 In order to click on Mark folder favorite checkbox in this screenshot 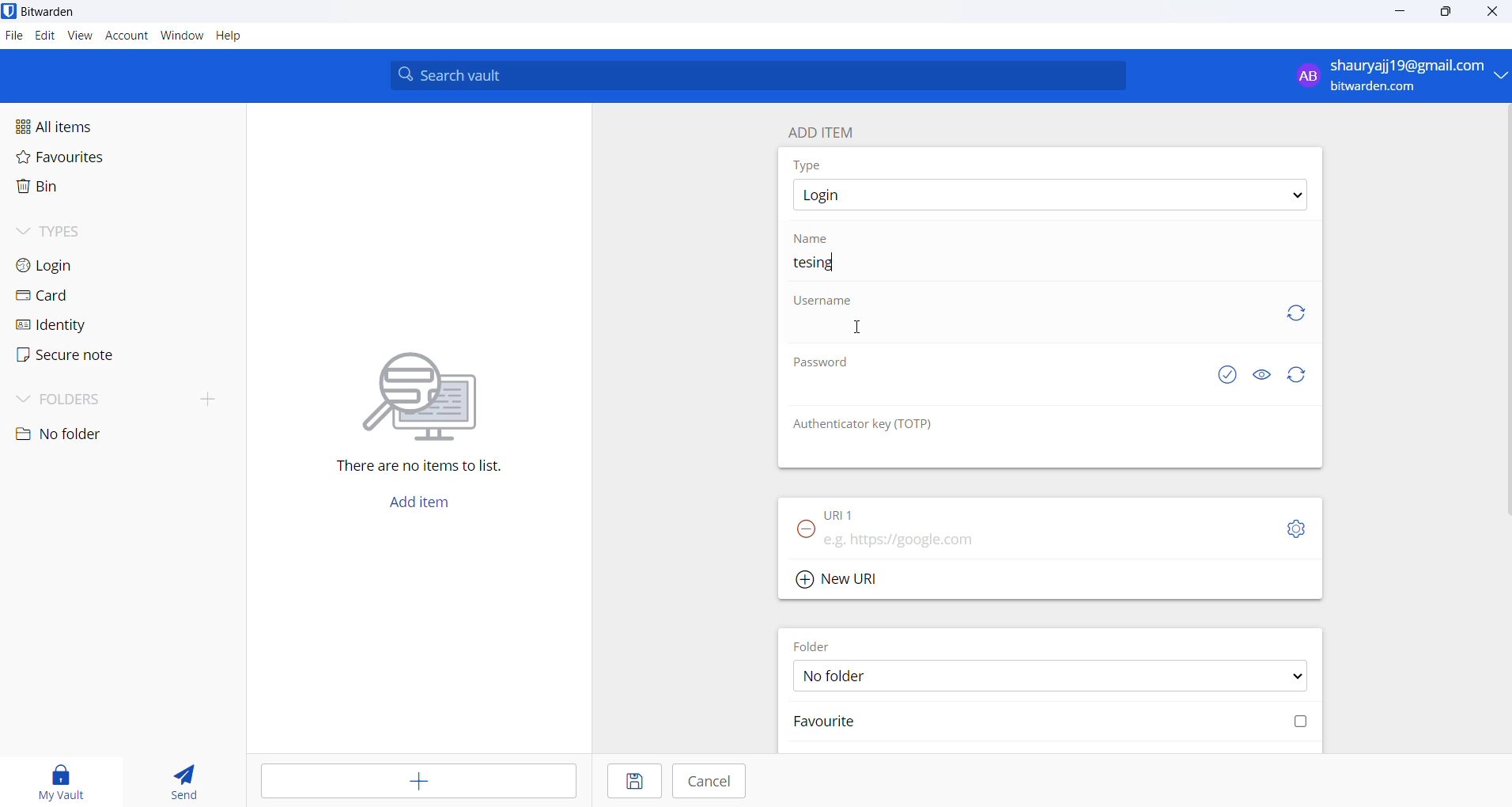, I will do `click(1048, 723)`.